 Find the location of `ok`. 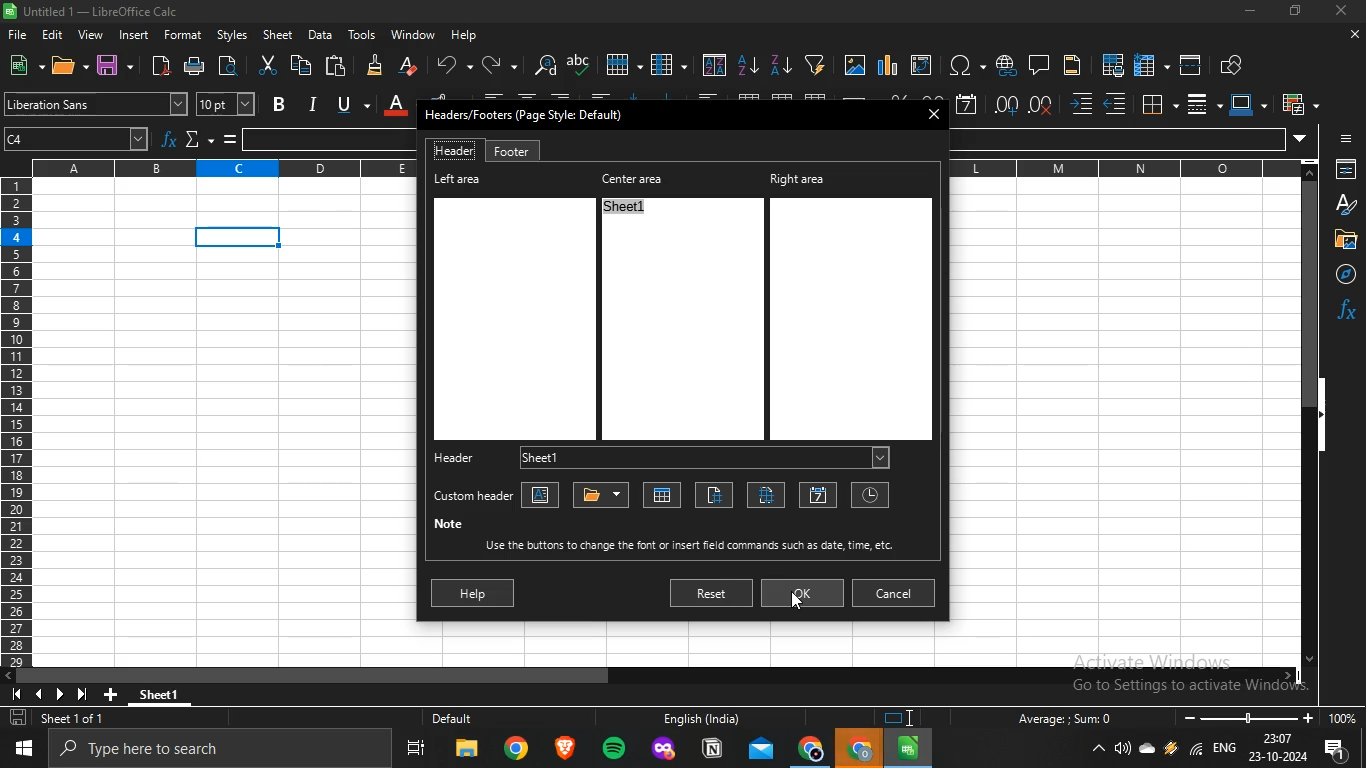

ok is located at coordinates (807, 592).